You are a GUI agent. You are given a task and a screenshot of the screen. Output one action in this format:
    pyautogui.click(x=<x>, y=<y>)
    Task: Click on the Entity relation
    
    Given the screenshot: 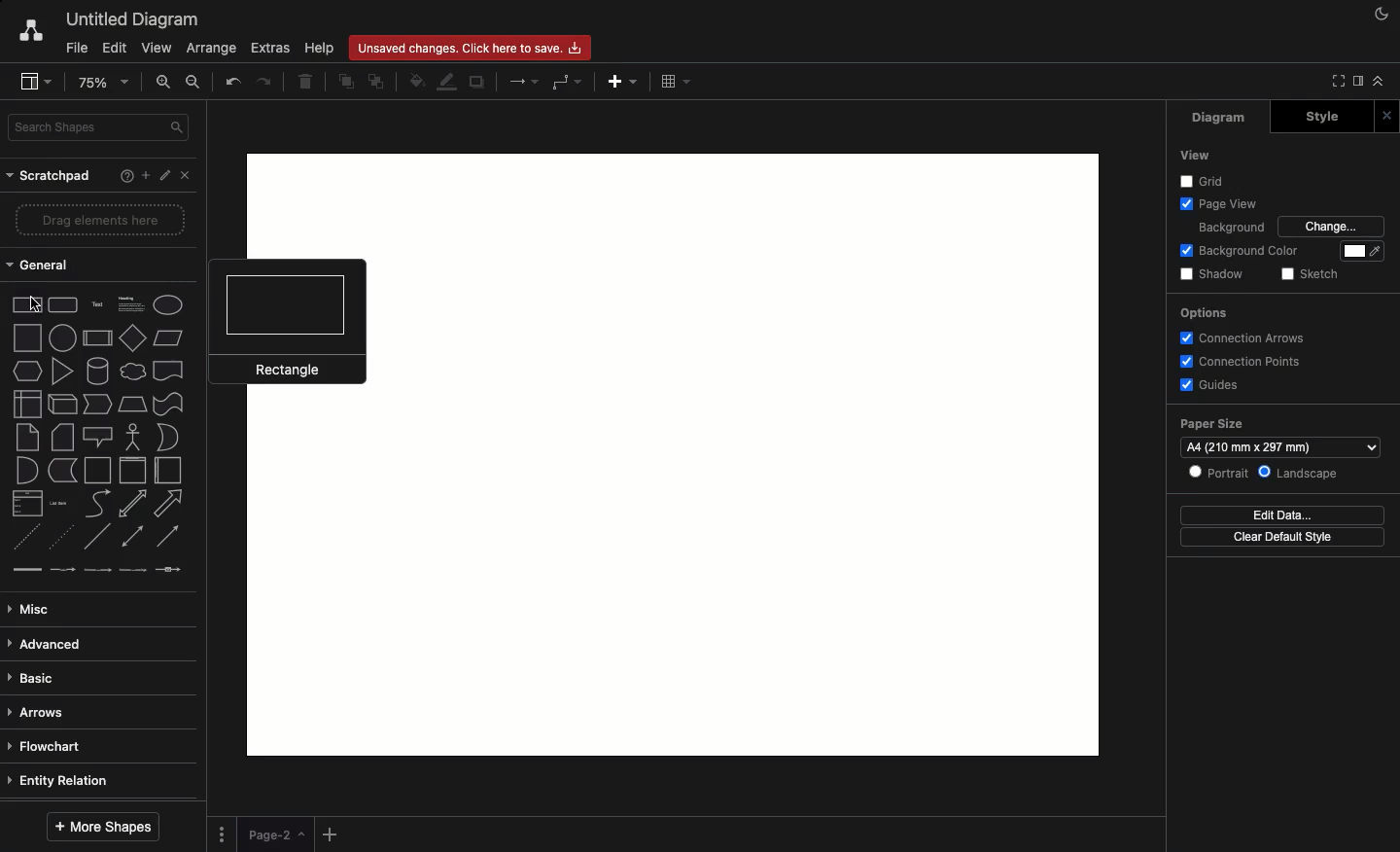 What is the action you would take?
    pyautogui.click(x=60, y=782)
    